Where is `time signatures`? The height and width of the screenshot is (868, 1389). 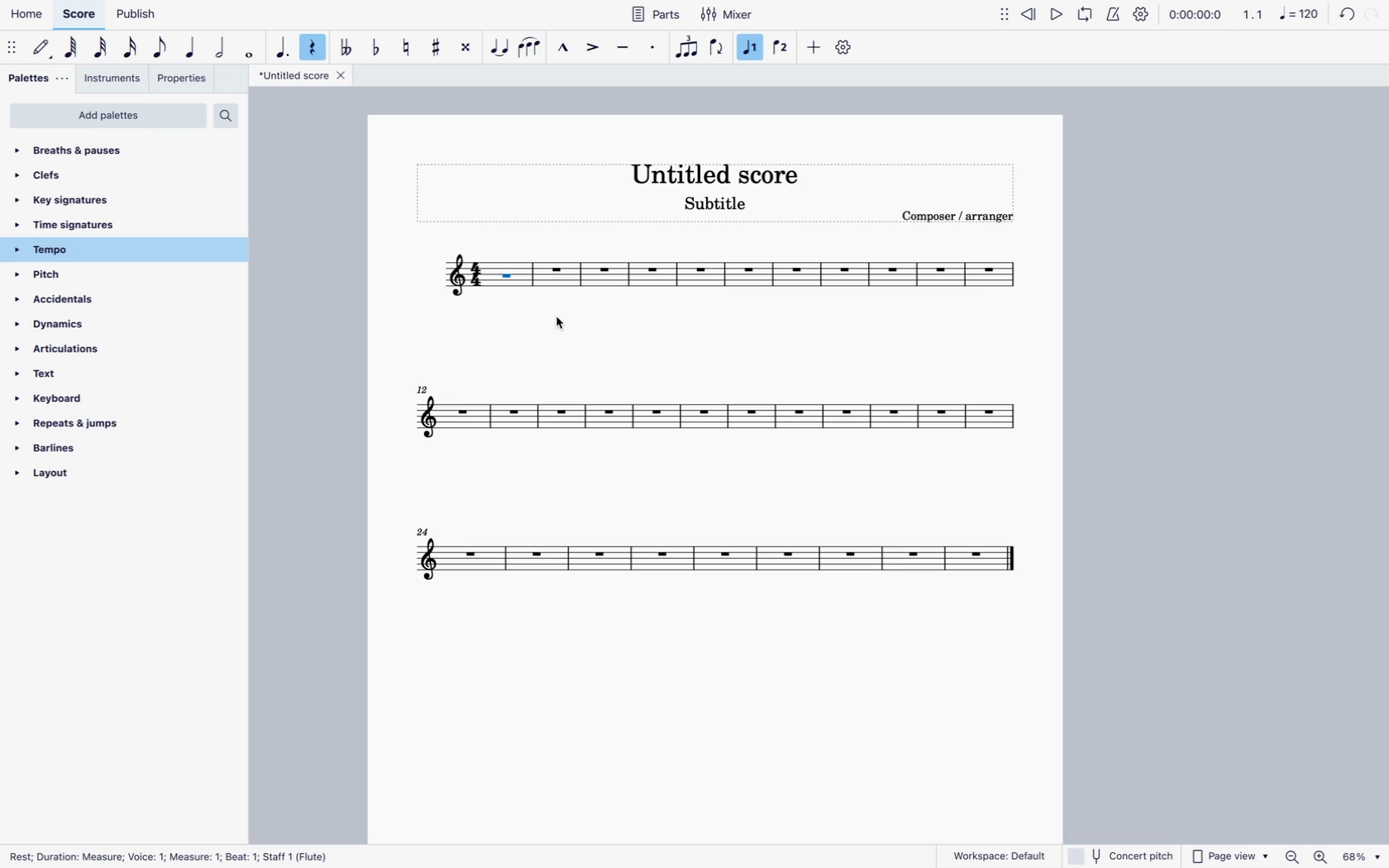 time signatures is located at coordinates (87, 224).